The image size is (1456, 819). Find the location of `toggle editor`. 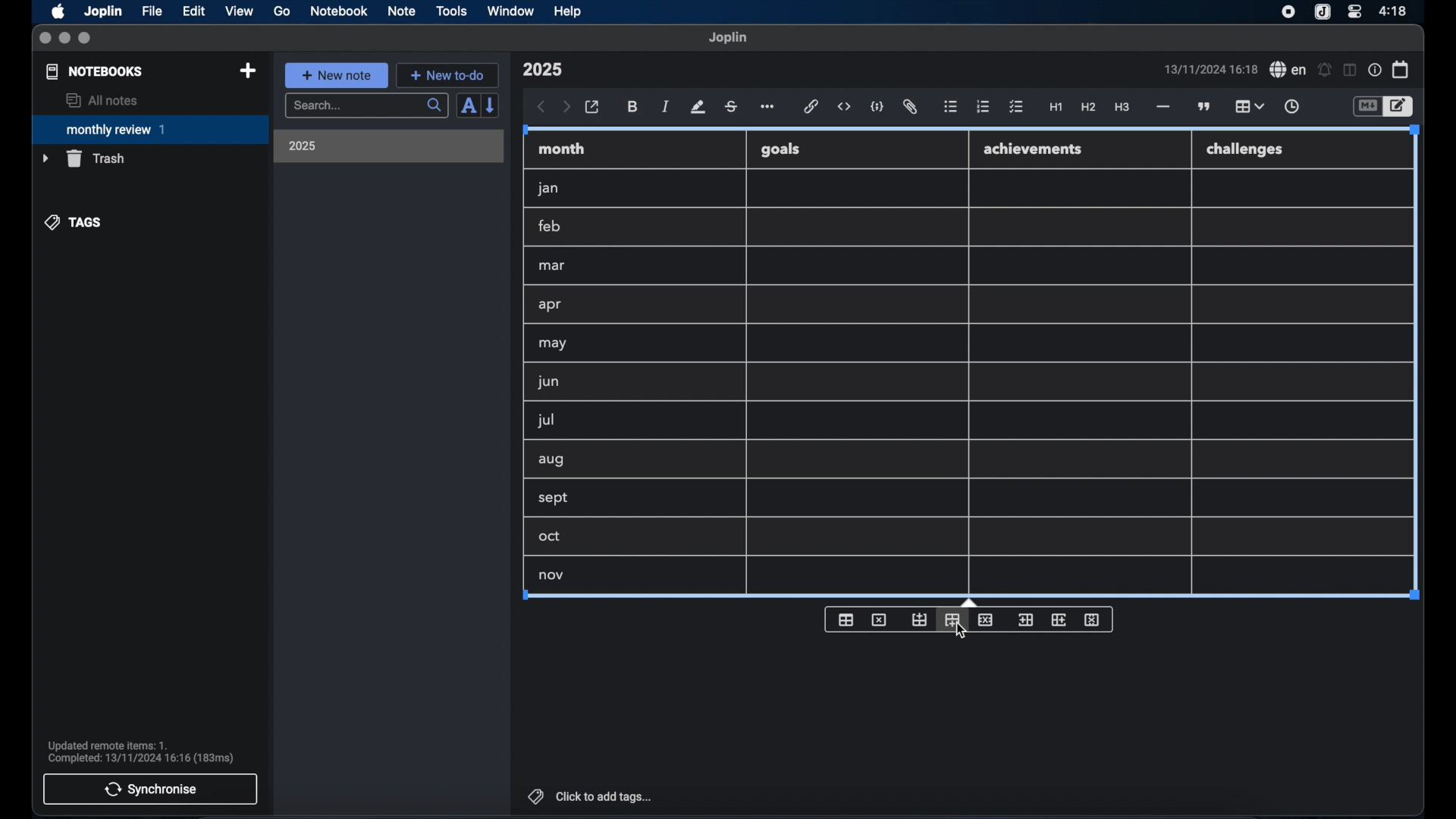

toggle editor is located at coordinates (1401, 107).